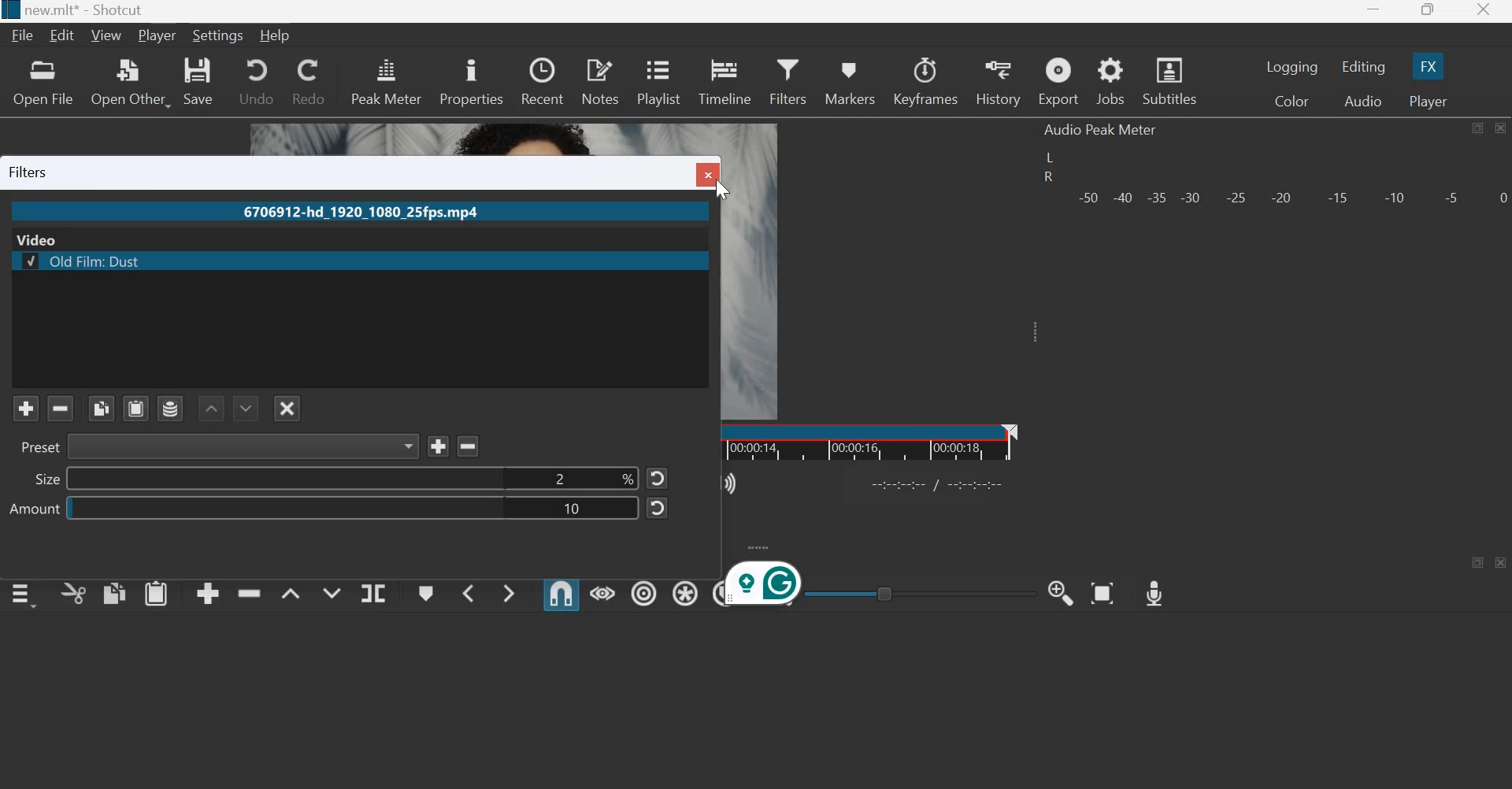 The image size is (1512, 789). I want to click on ripple delete, so click(250, 591).